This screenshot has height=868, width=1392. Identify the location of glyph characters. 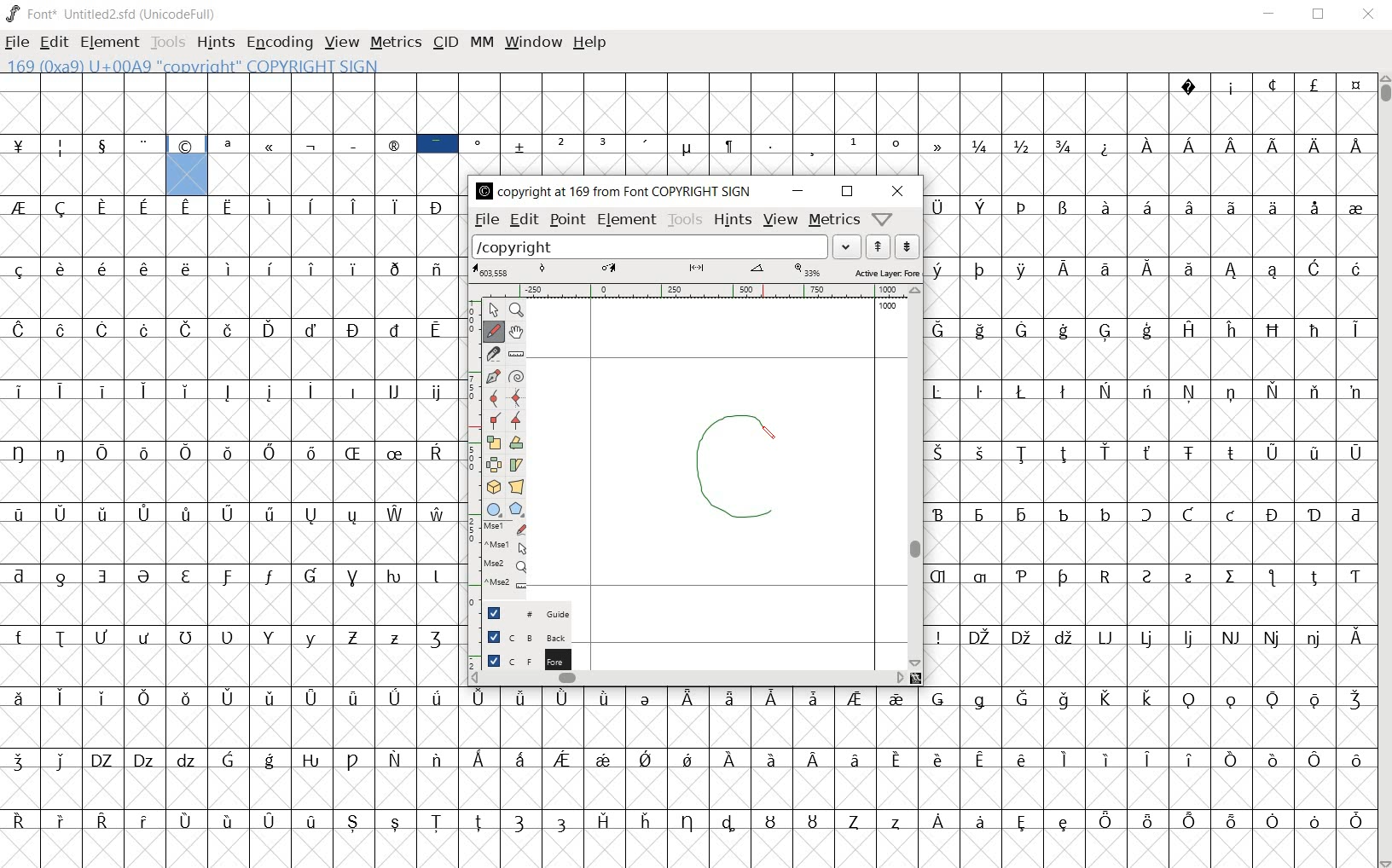
(917, 775).